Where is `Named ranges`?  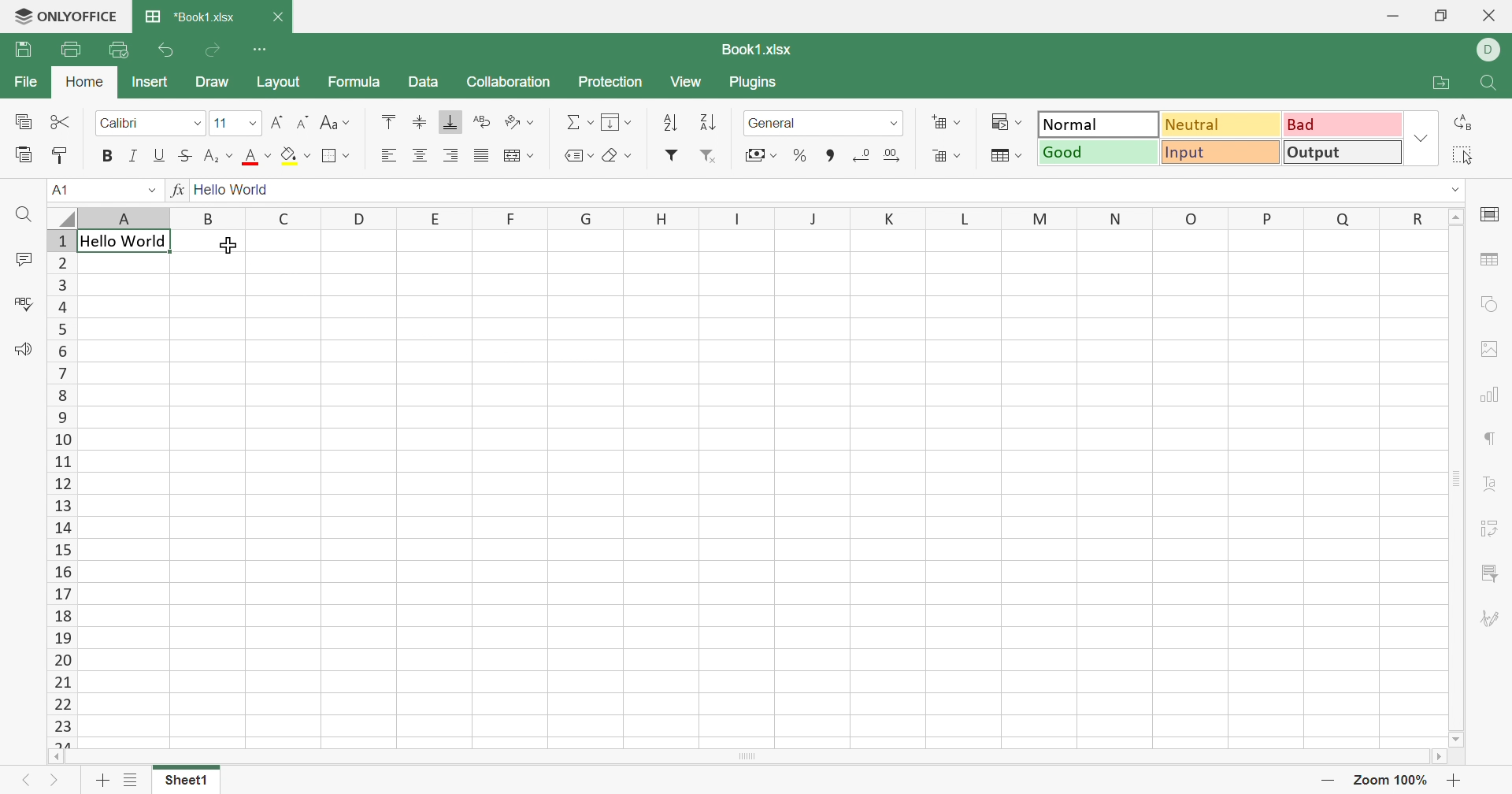
Named ranges is located at coordinates (580, 158).